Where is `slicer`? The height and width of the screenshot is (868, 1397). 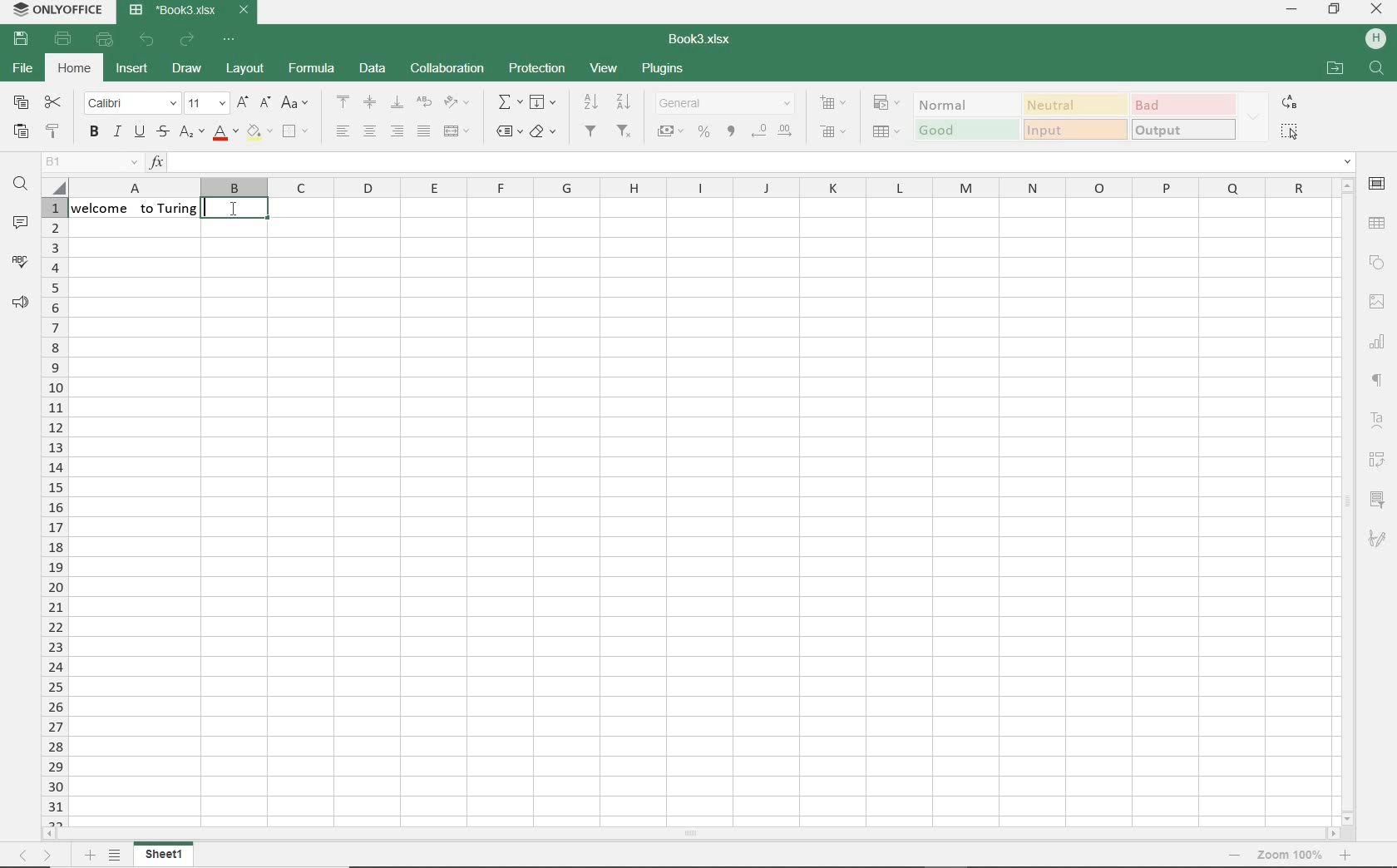 slicer is located at coordinates (1378, 498).